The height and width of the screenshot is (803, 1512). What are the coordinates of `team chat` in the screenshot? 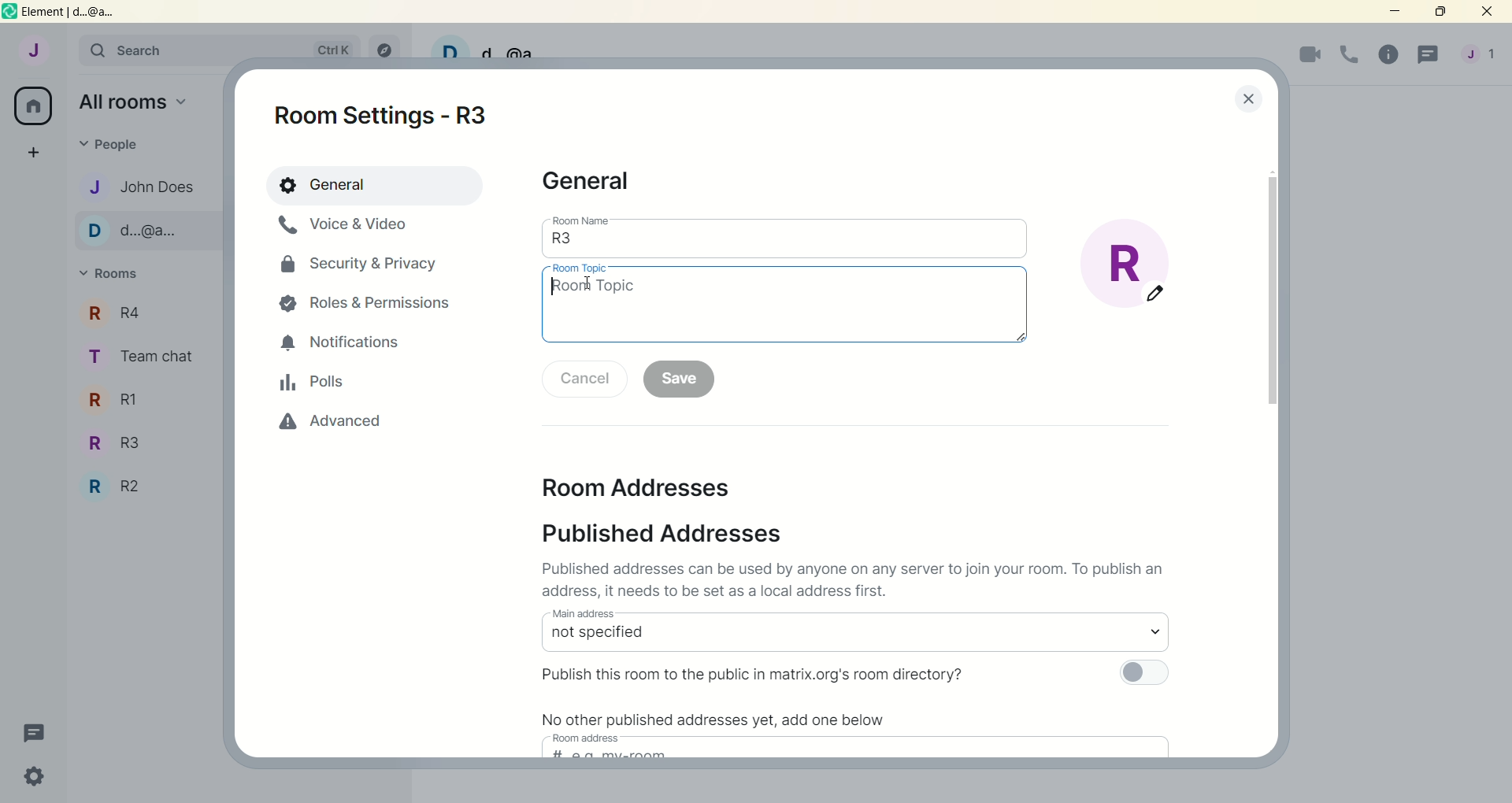 It's located at (142, 354).